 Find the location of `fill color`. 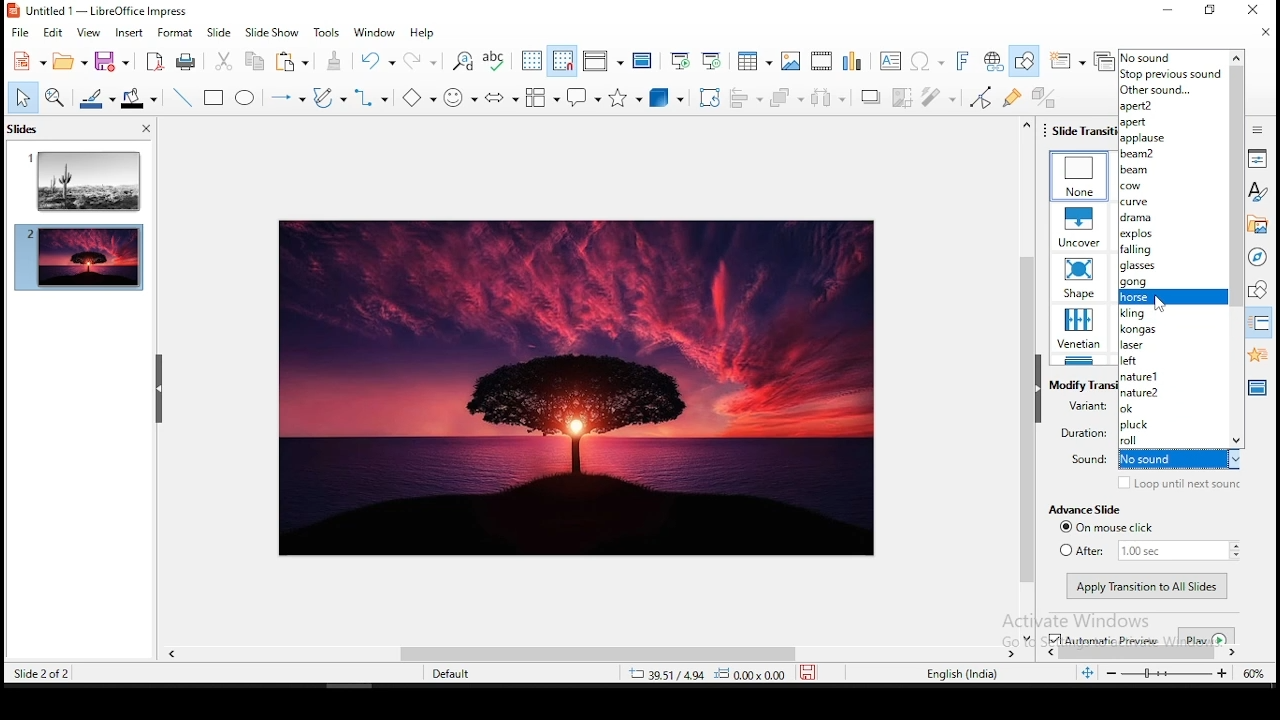

fill color is located at coordinates (141, 97).